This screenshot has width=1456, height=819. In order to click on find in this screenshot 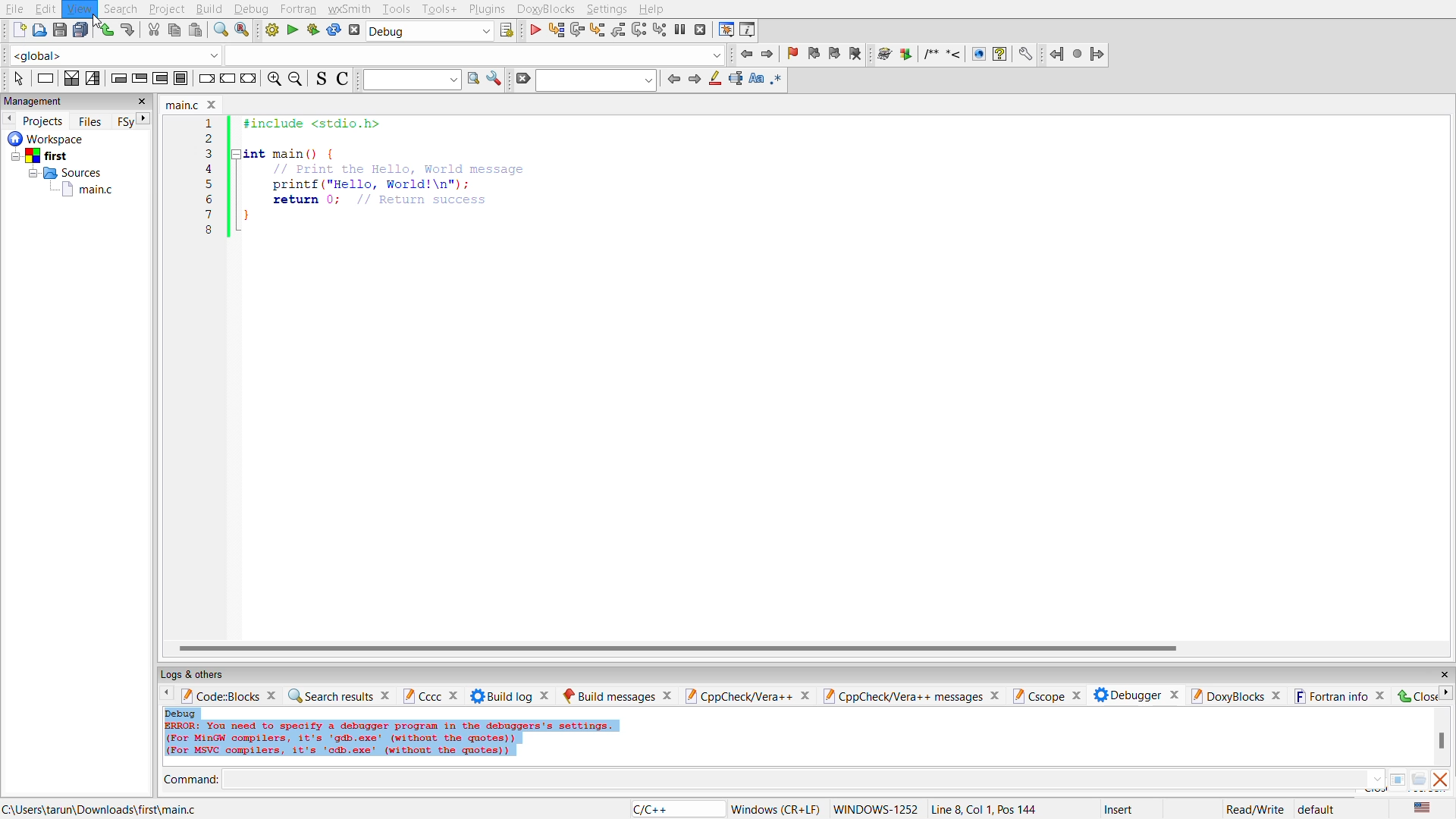, I will do `click(215, 32)`.